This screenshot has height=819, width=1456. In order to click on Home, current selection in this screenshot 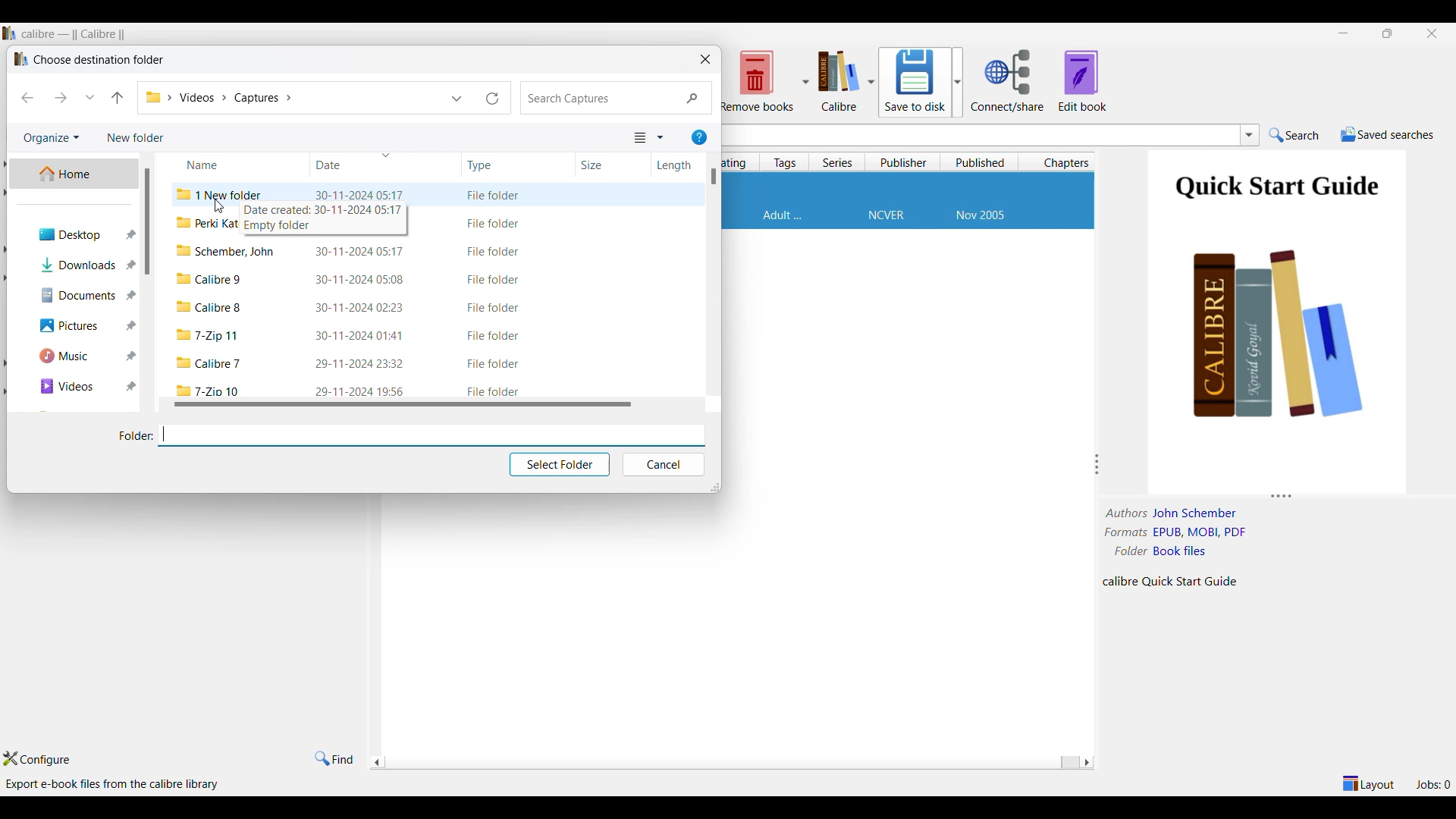, I will do `click(74, 174)`.